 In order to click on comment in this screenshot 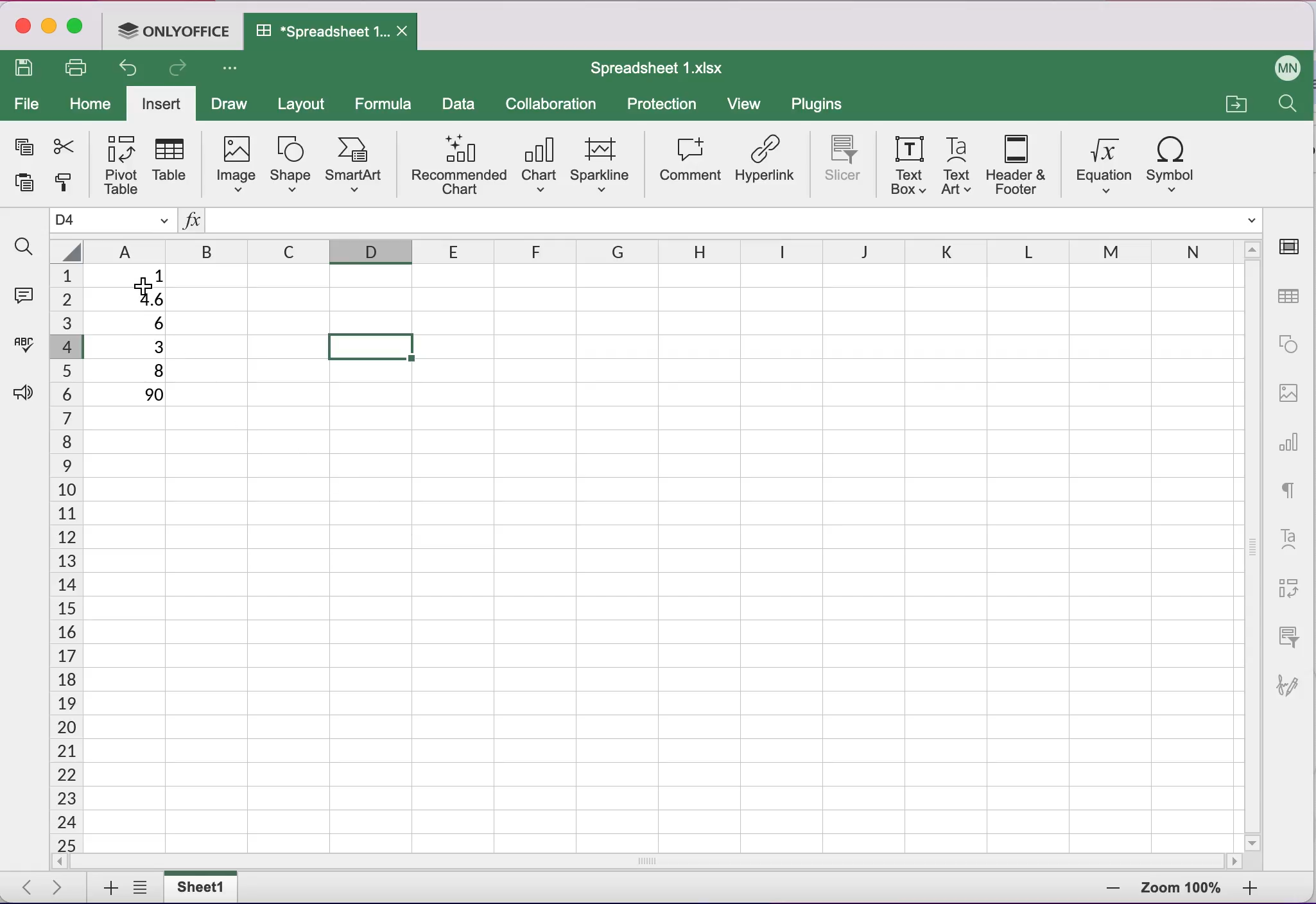, I will do `click(689, 164)`.